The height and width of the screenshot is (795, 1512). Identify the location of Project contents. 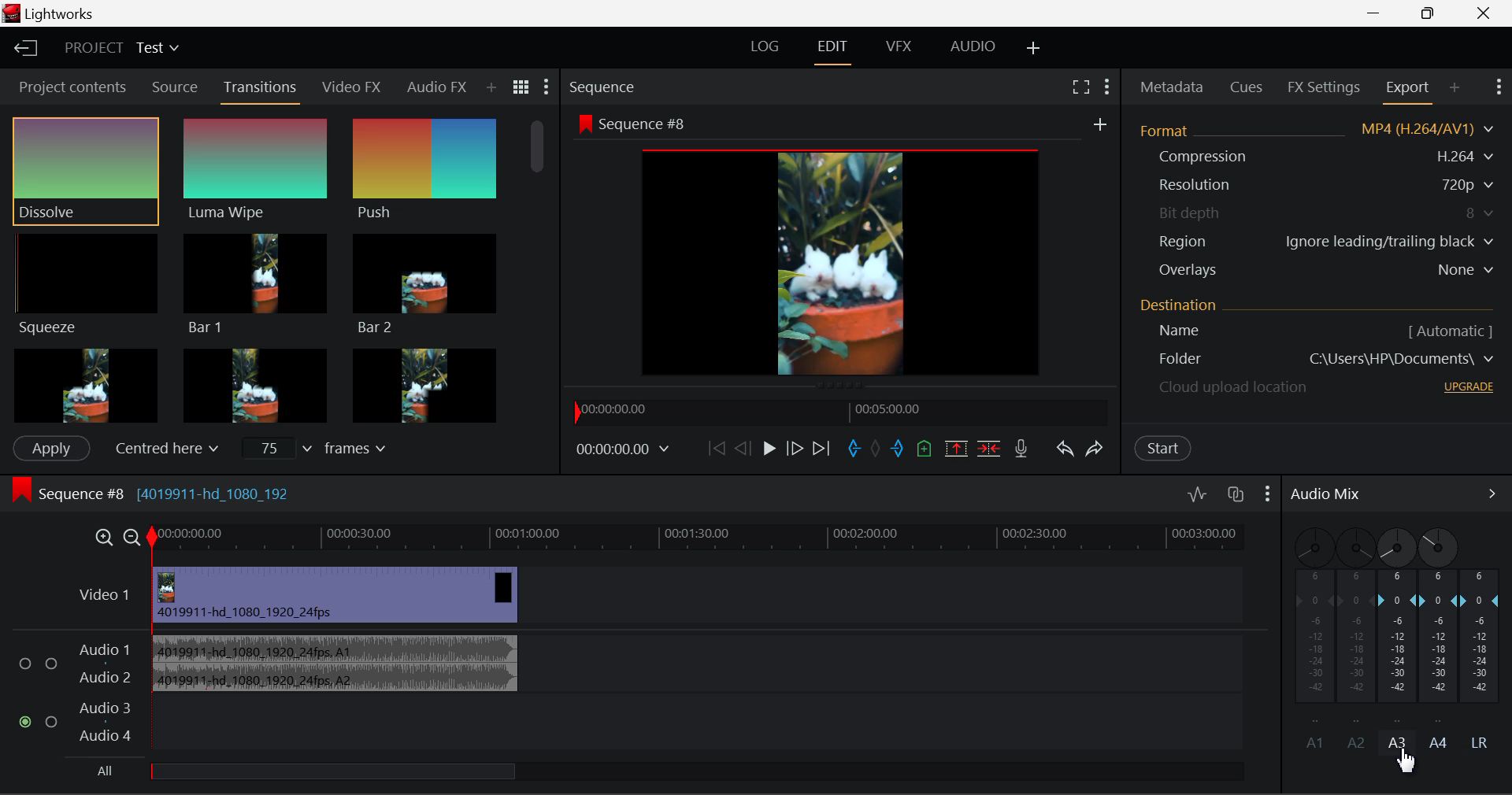
(67, 87).